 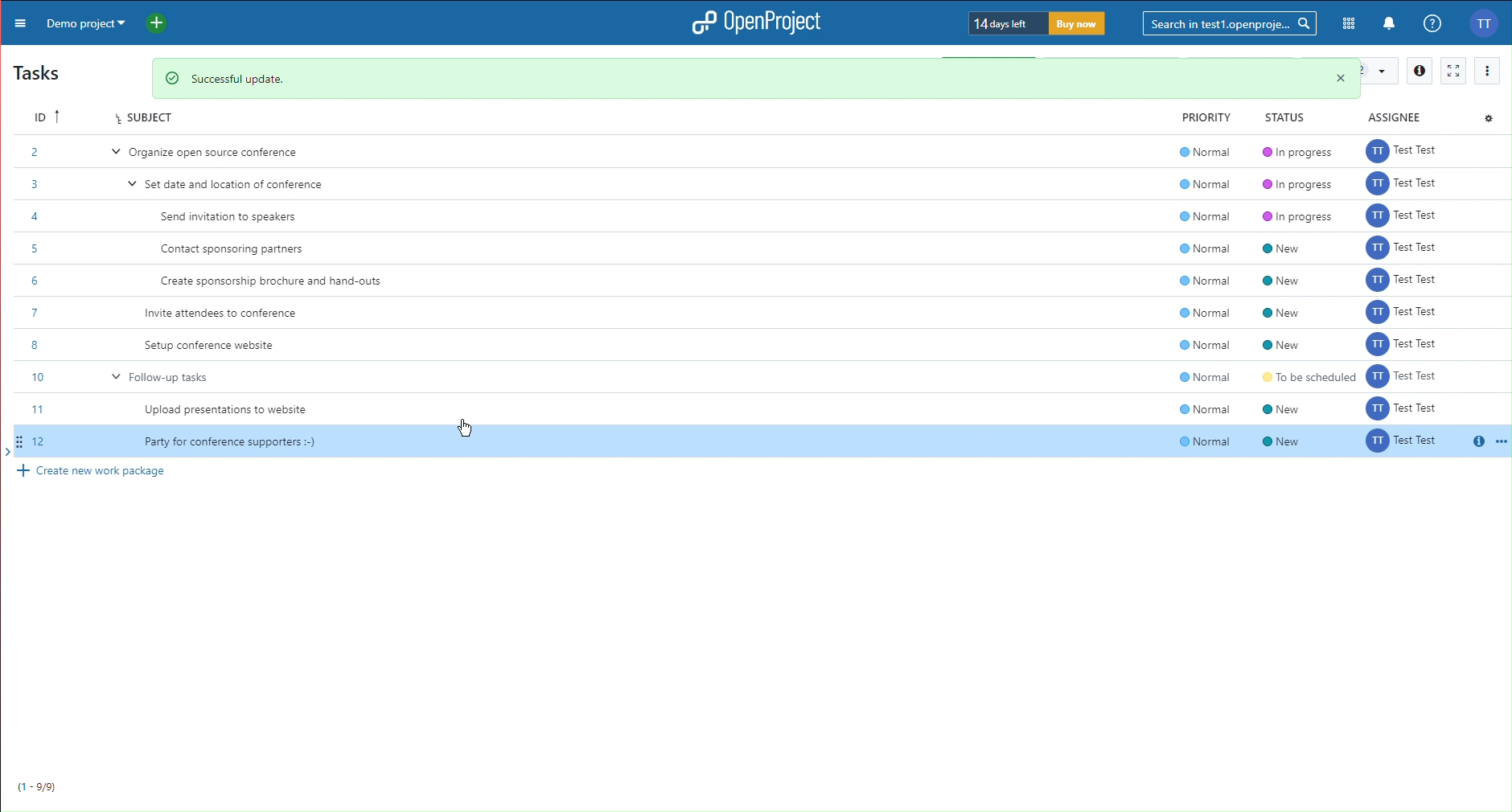 I want to click on Subject, so click(x=144, y=118).